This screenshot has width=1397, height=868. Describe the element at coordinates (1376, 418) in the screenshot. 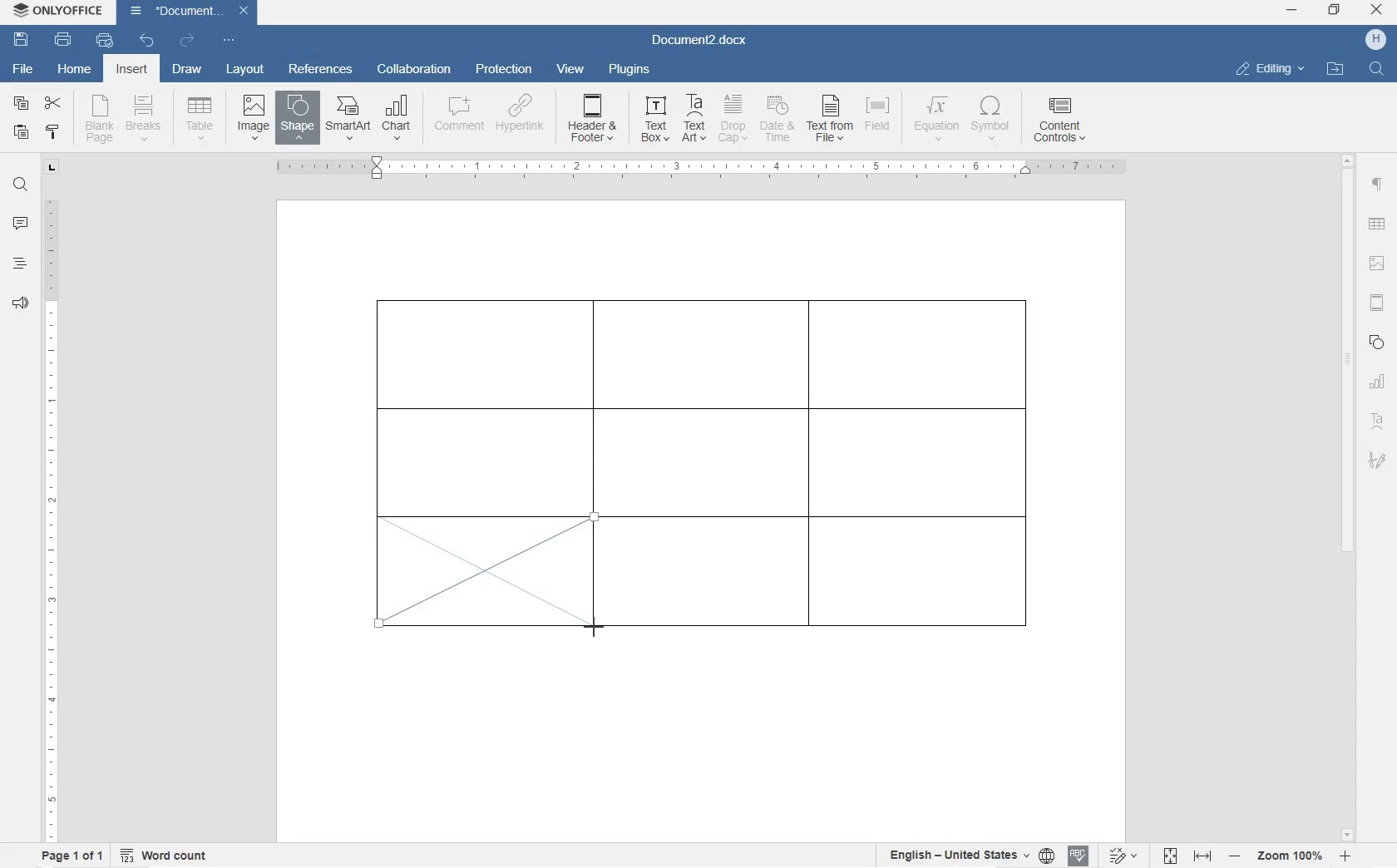

I see `textart` at that location.